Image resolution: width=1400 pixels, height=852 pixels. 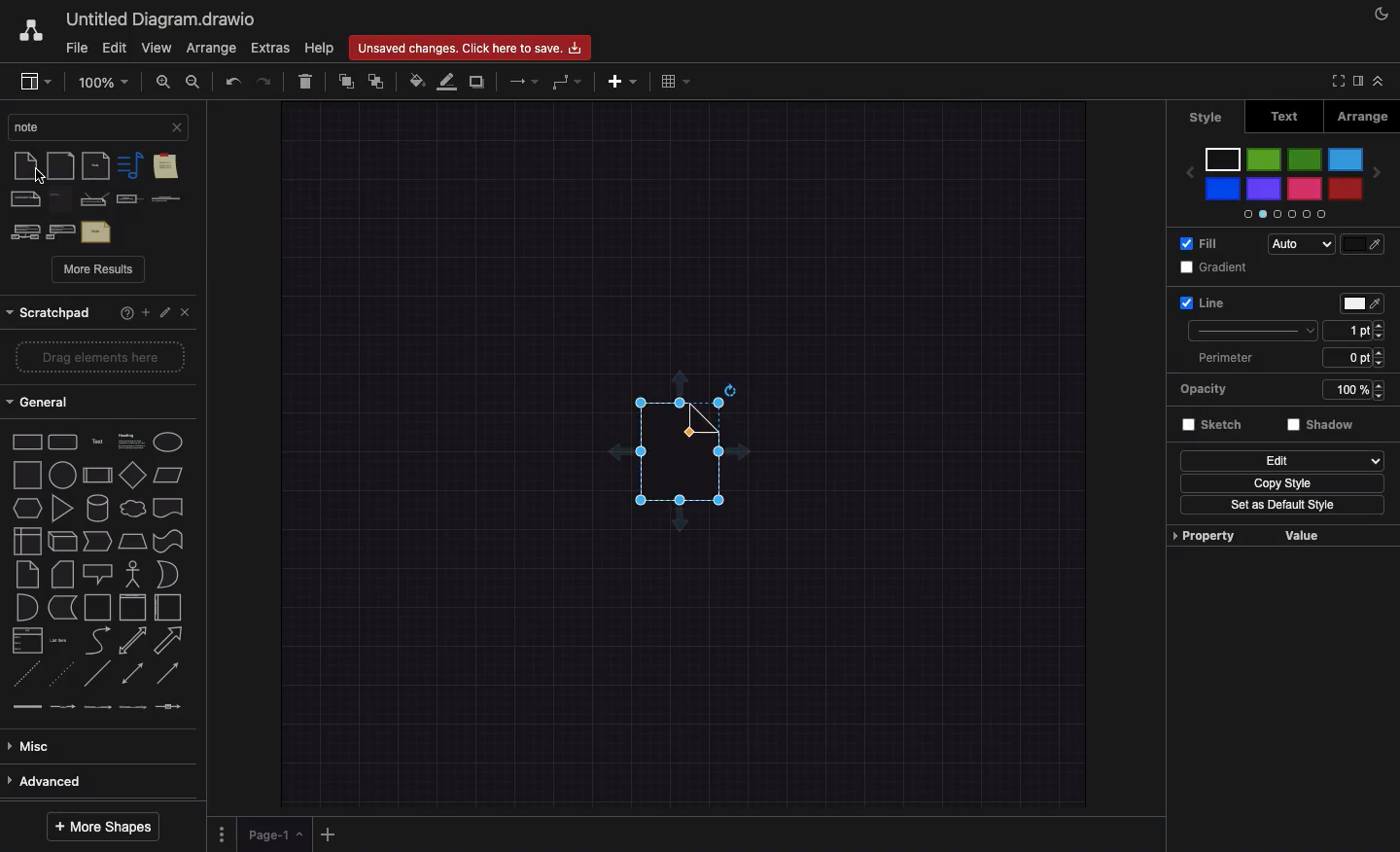 I want to click on callout, so click(x=96, y=573).